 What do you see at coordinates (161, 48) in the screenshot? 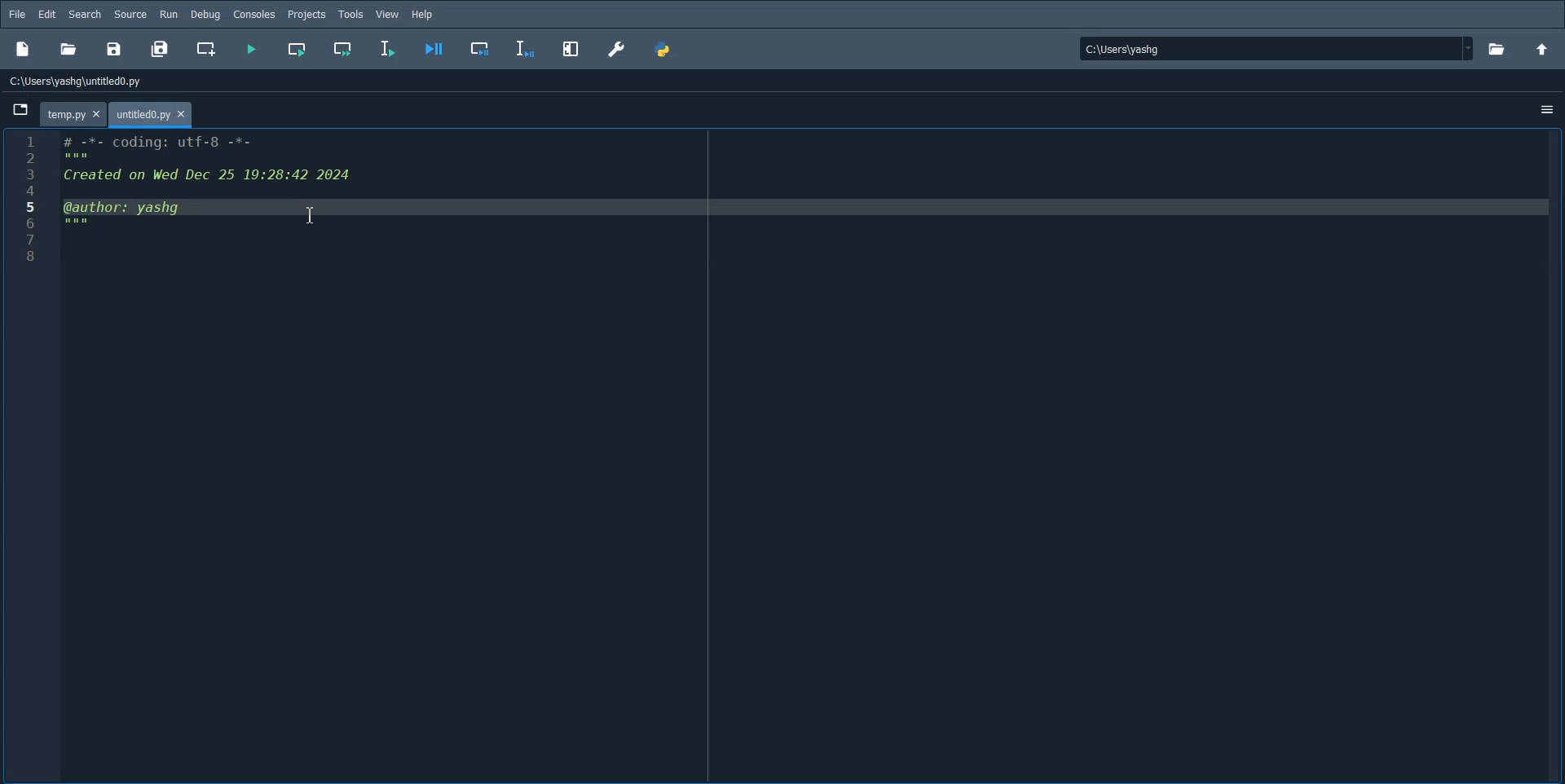
I see `Save all File` at bounding box center [161, 48].